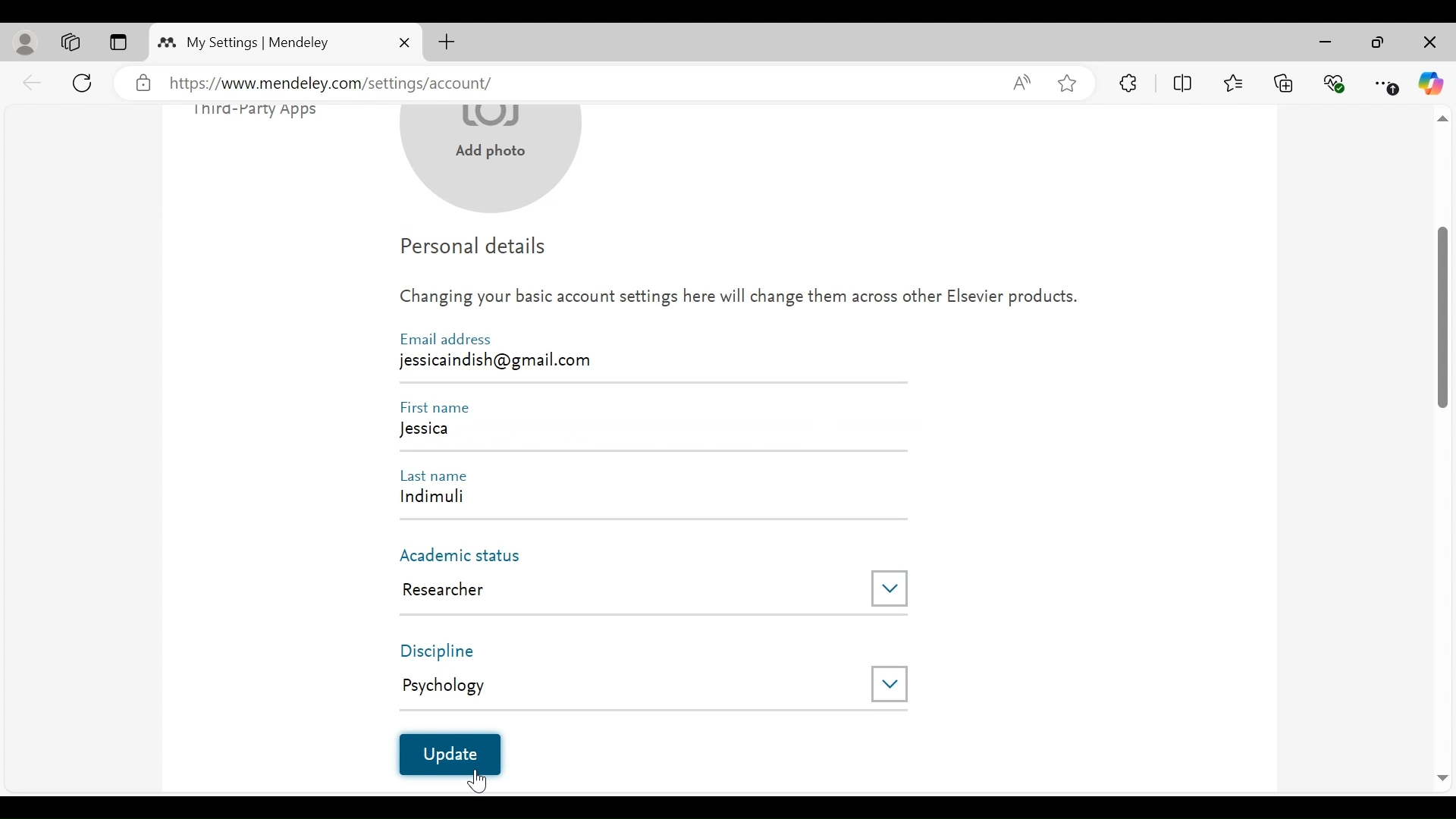 The image size is (1456, 819). I want to click on Close, so click(404, 42).